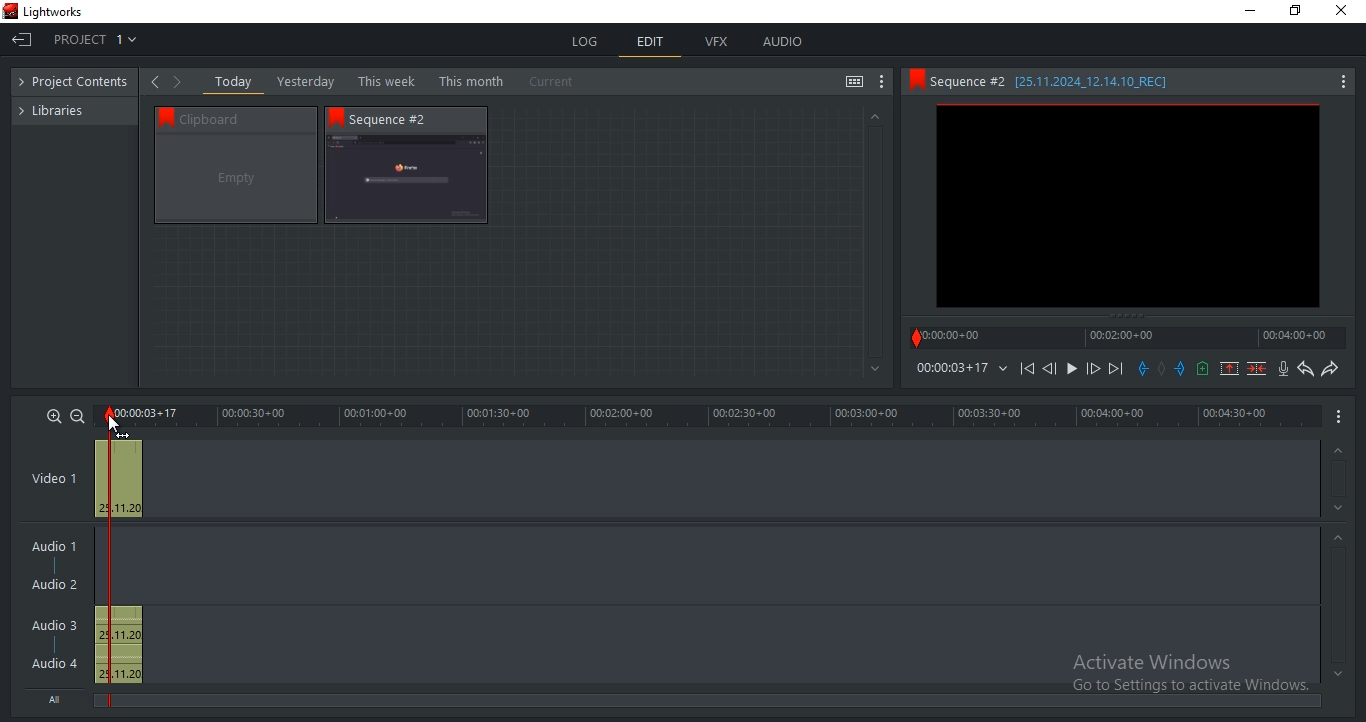 This screenshot has height=722, width=1366. Describe the element at coordinates (54, 585) in the screenshot. I see `Audio 2` at that location.